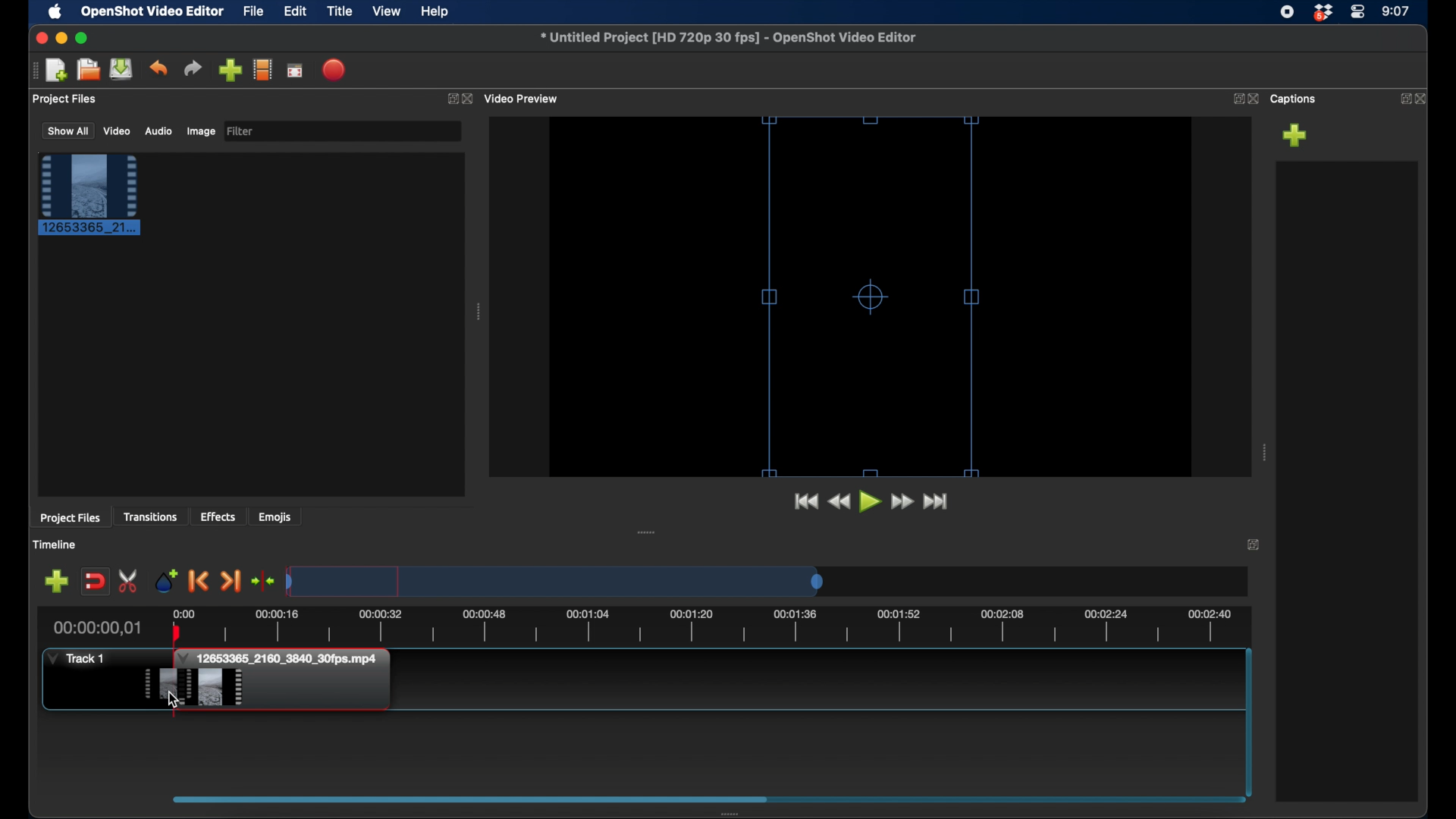  I want to click on open project, so click(86, 70).